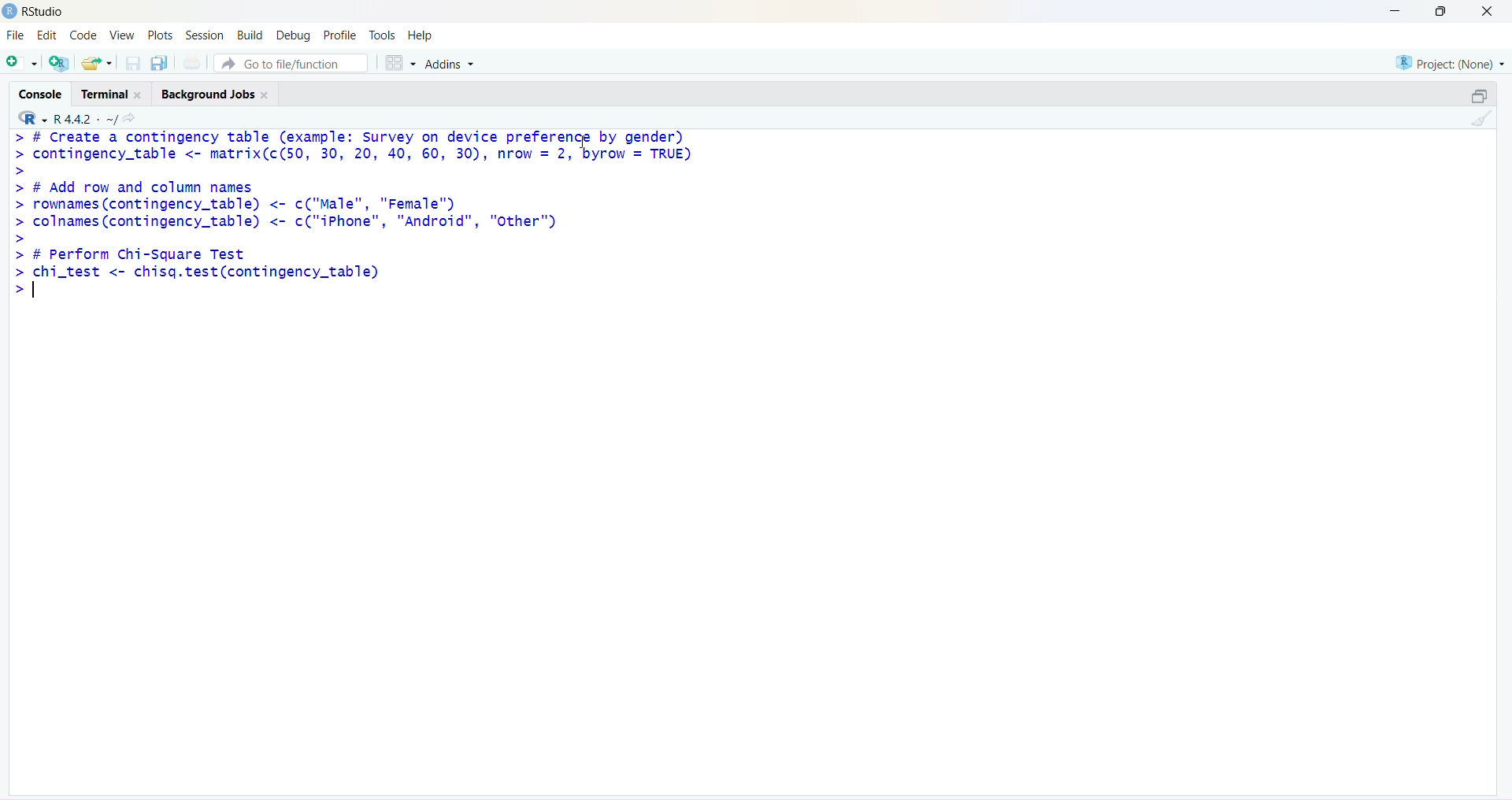 The image size is (1512, 800). I want to click on add R file, so click(60, 63).